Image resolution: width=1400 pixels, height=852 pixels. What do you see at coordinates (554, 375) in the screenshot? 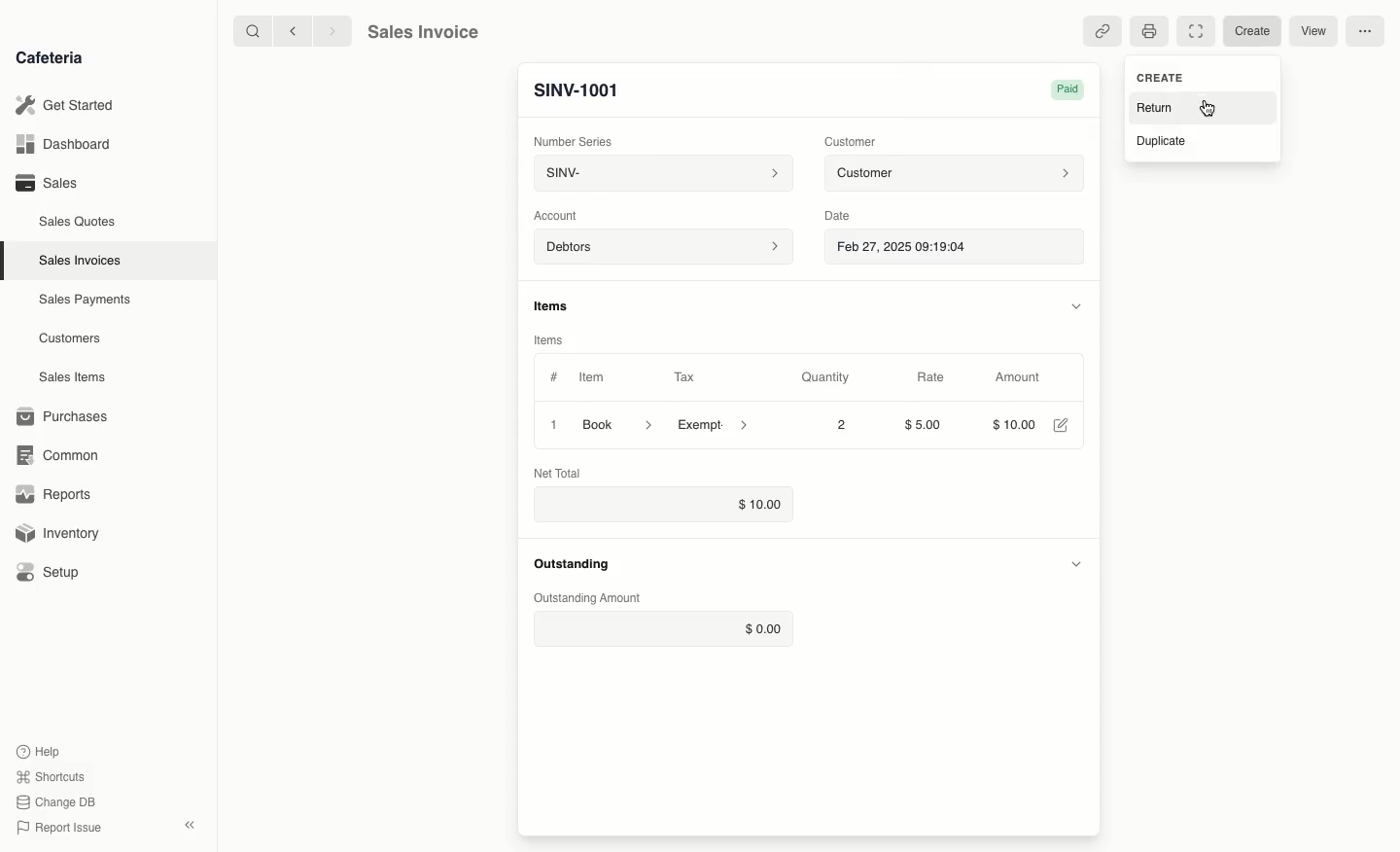
I see `#` at bounding box center [554, 375].